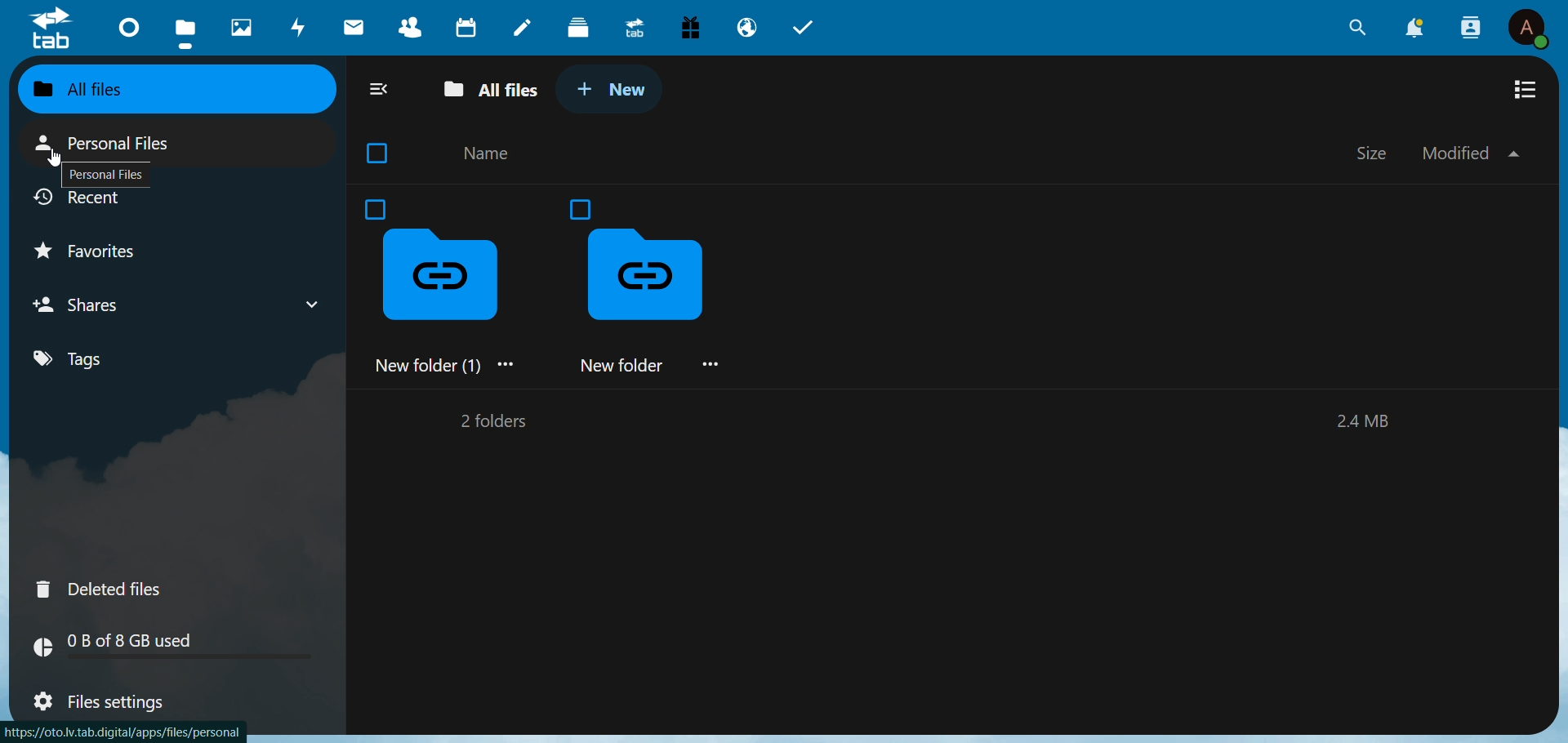 The height and width of the screenshot is (743, 1568). What do you see at coordinates (127, 91) in the screenshot?
I see `all files` at bounding box center [127, 91].